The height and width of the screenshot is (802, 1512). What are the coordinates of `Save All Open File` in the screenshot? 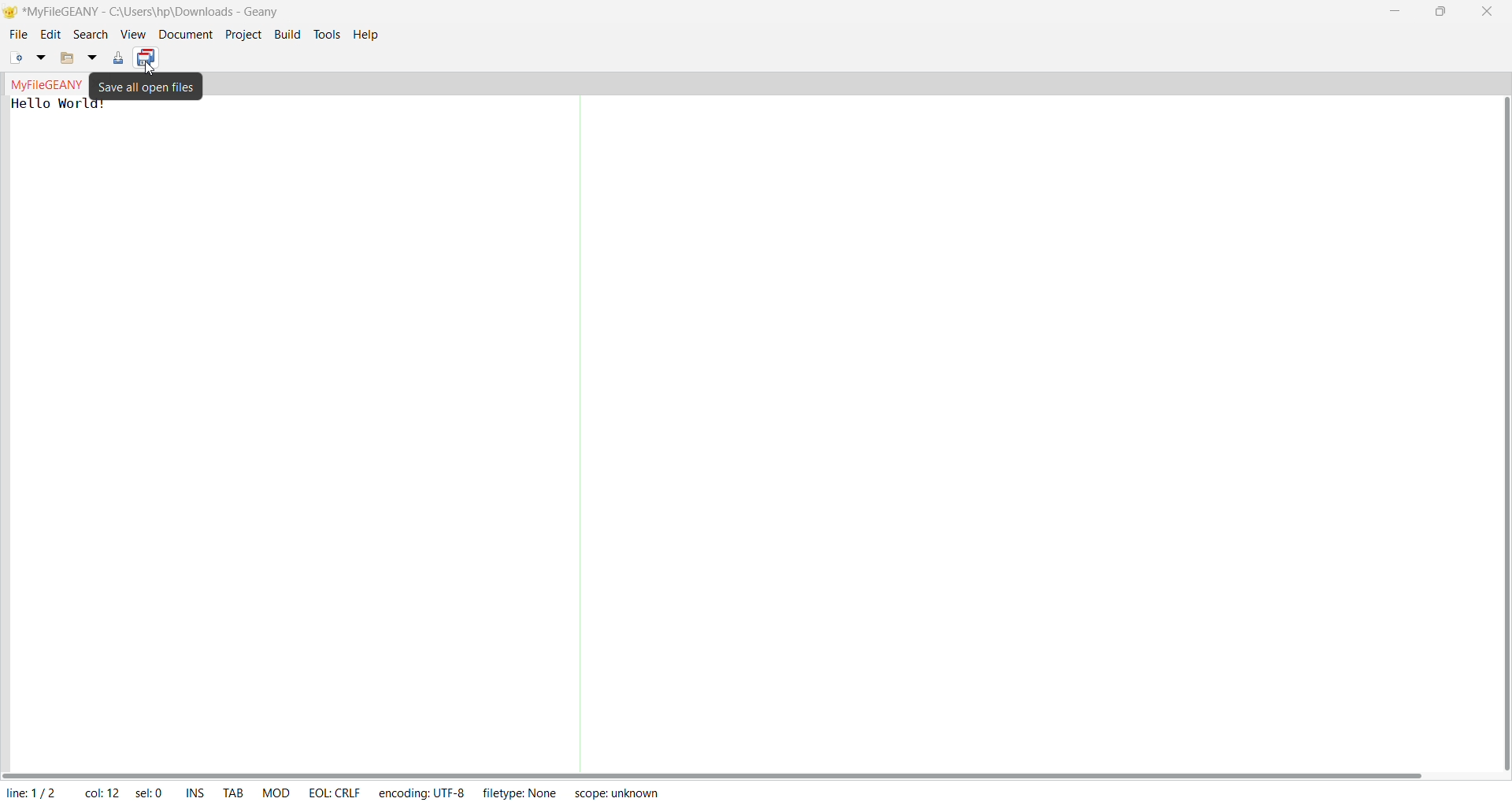 It's located at (148, 58).